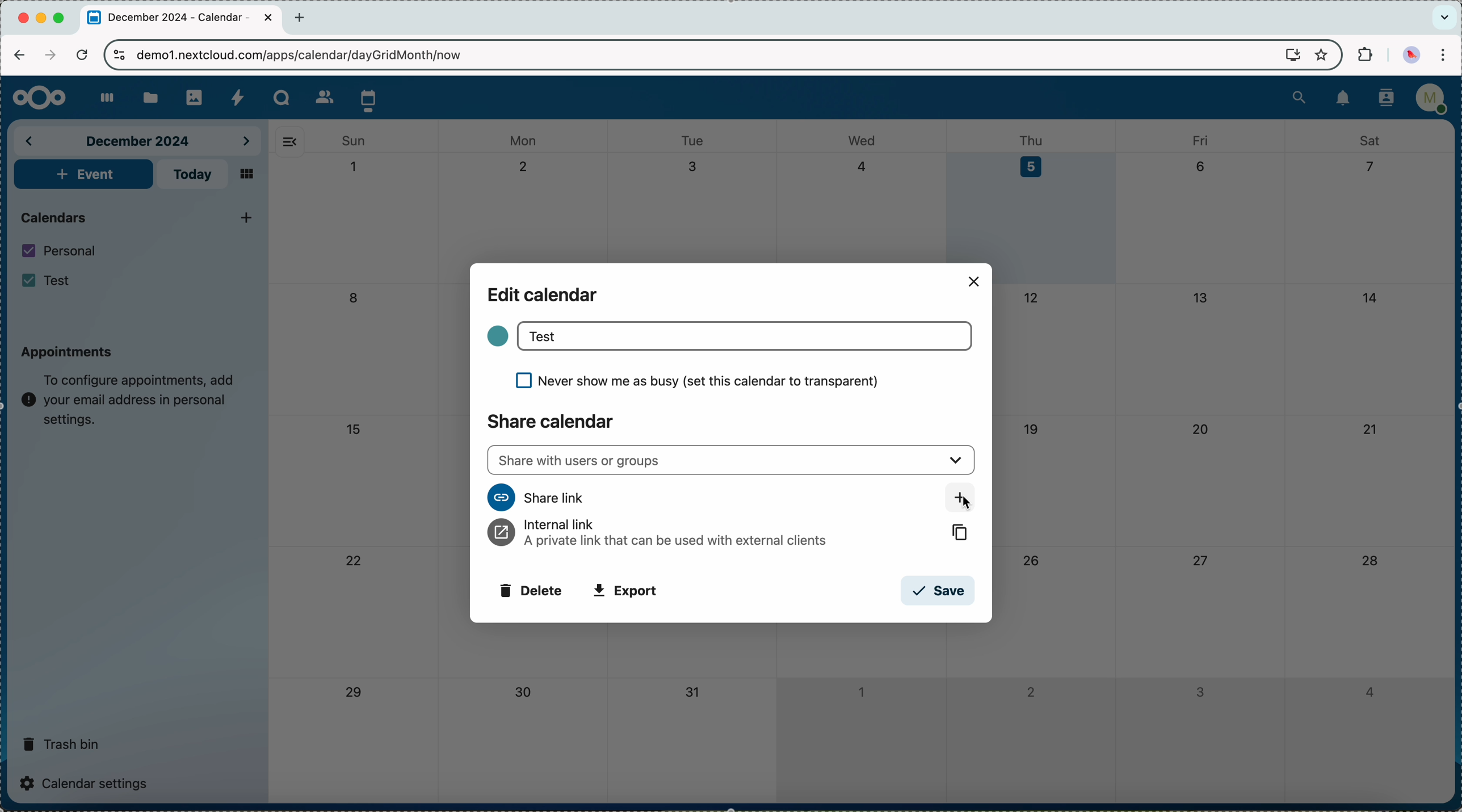  I want to click on minimize, so click(43, 19).